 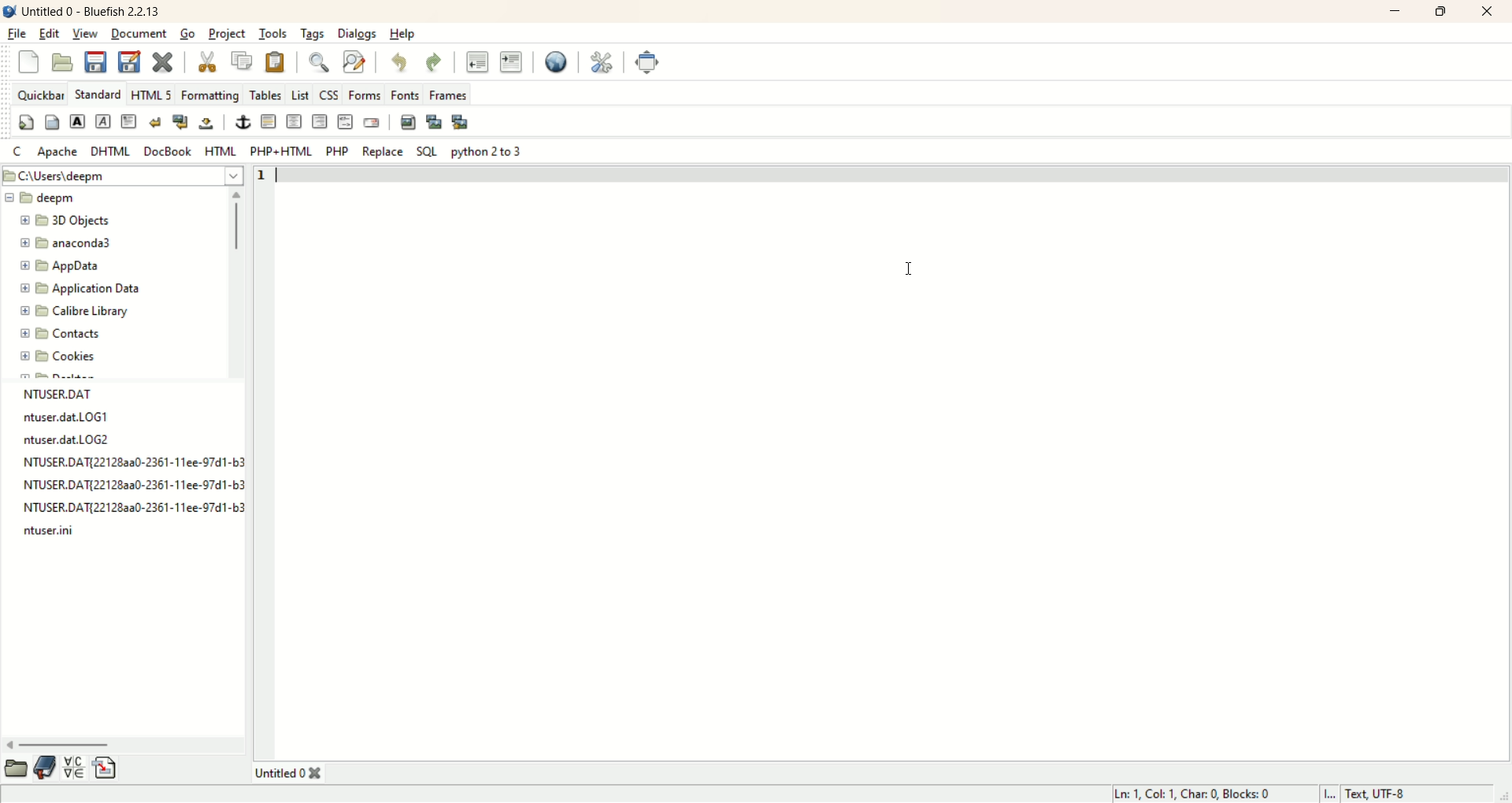 I want to click on email, so click(x=370, y=122).